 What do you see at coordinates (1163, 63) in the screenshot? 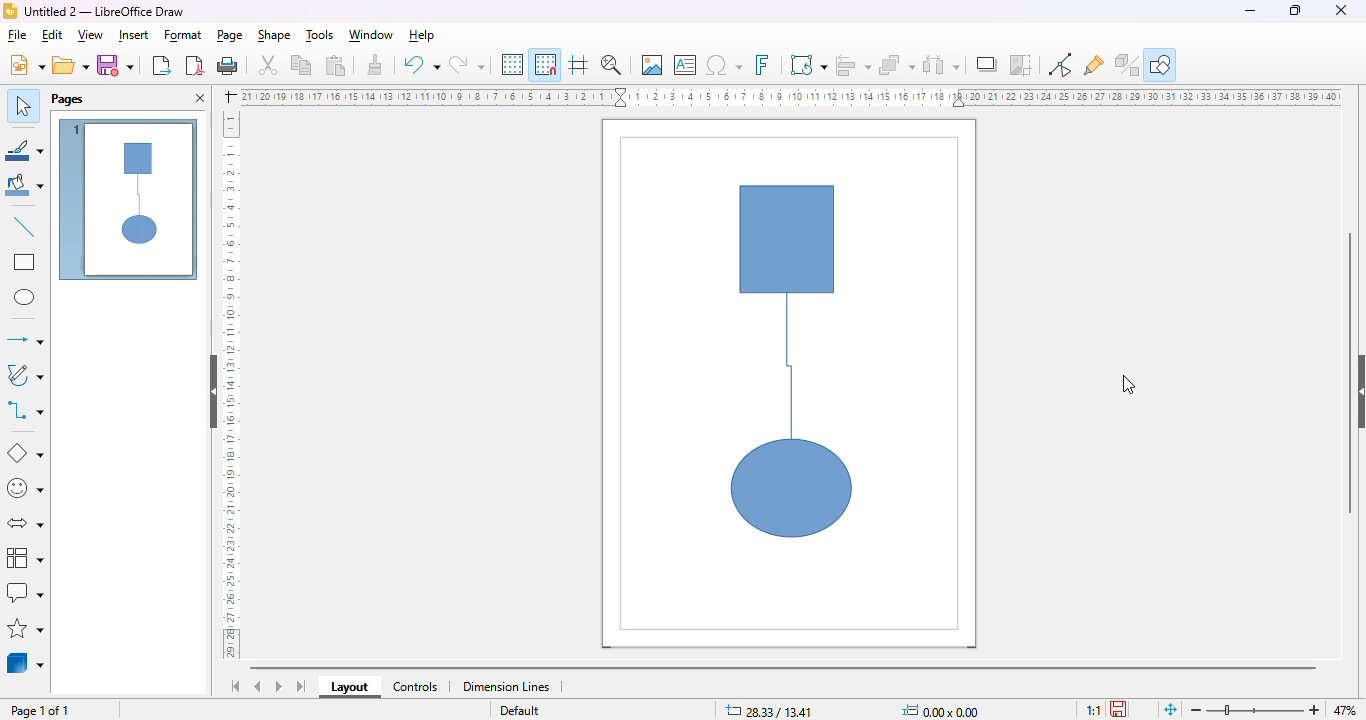
I see `show draw functions` at bounding box center [1163, 63].